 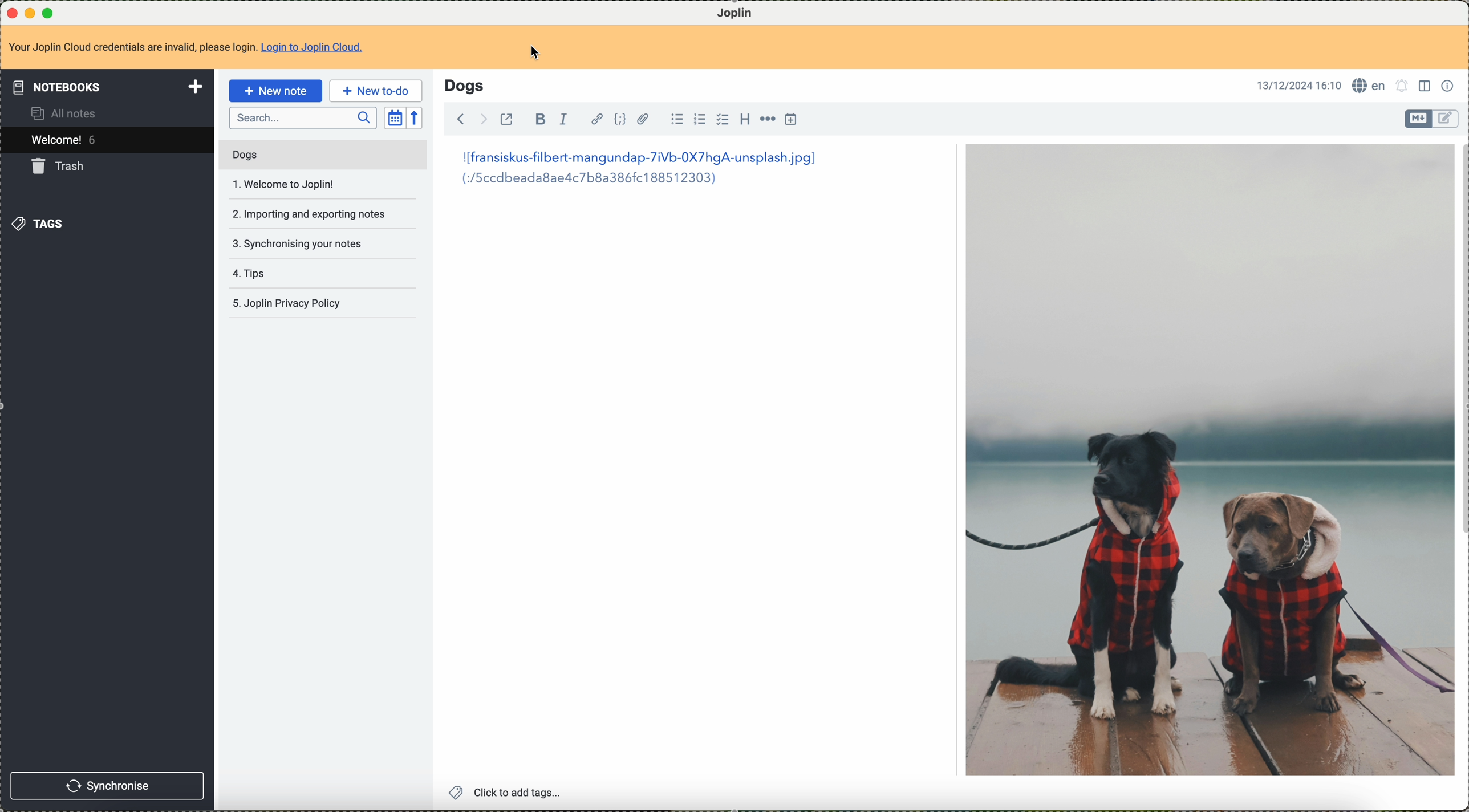 What do you see at coordinates (486, 118) in the screenshot?
I see `foward` at bounding box center [486, 118].